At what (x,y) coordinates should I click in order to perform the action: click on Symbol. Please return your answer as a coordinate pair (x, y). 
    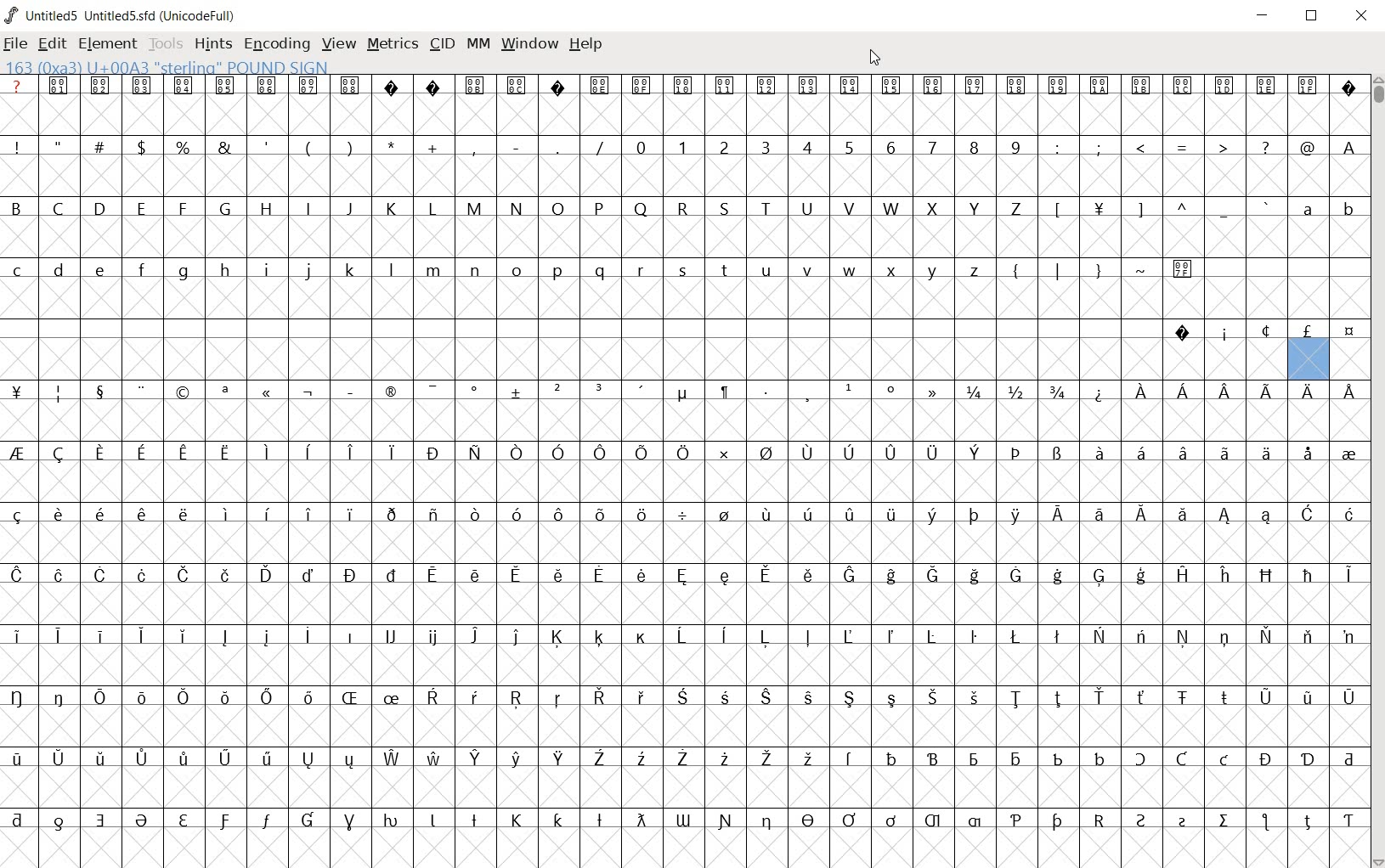
    Looking at the image, I should click on (1267, 392).